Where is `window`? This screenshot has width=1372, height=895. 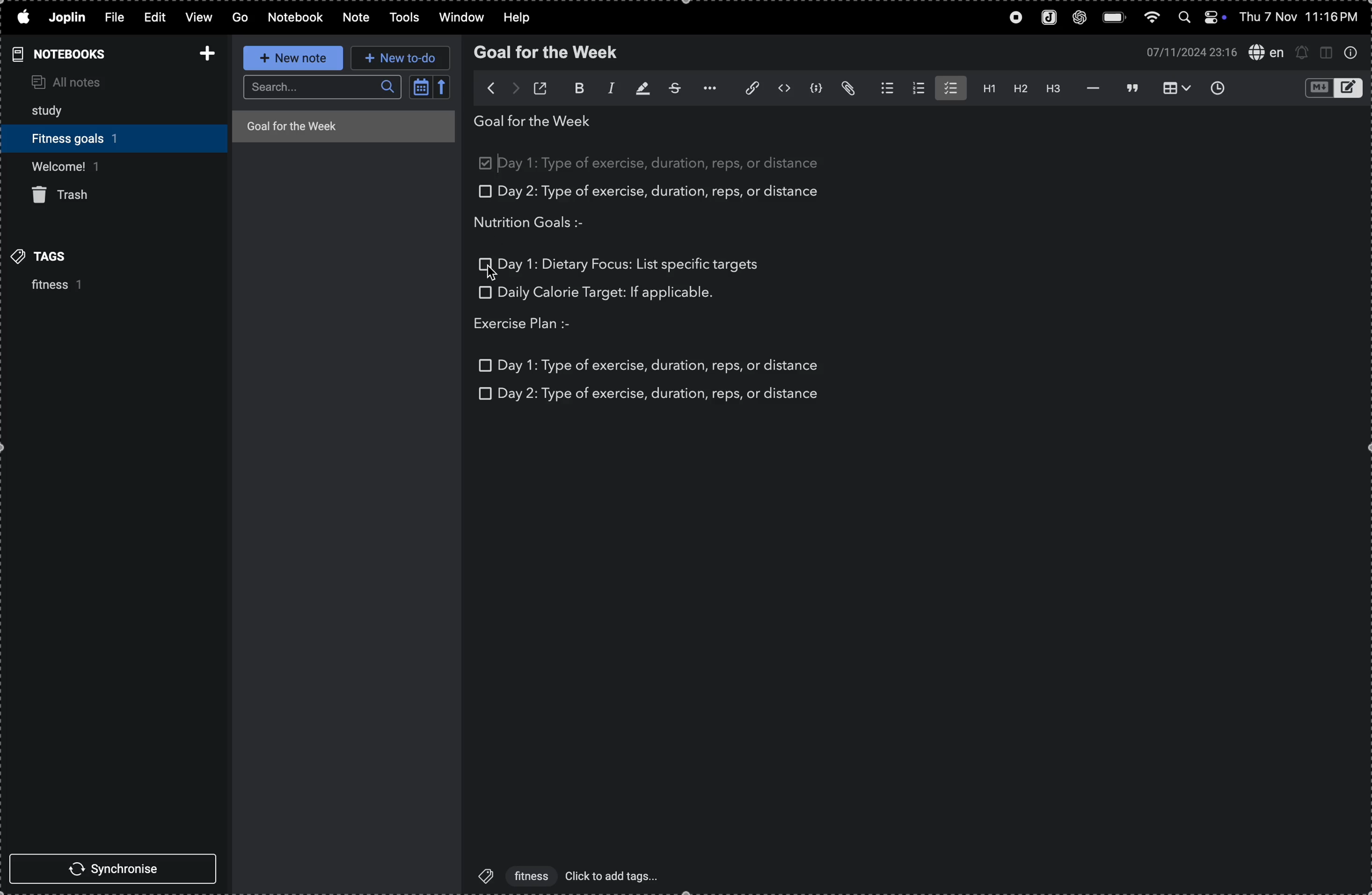
window is located at coordinates (458, 18).